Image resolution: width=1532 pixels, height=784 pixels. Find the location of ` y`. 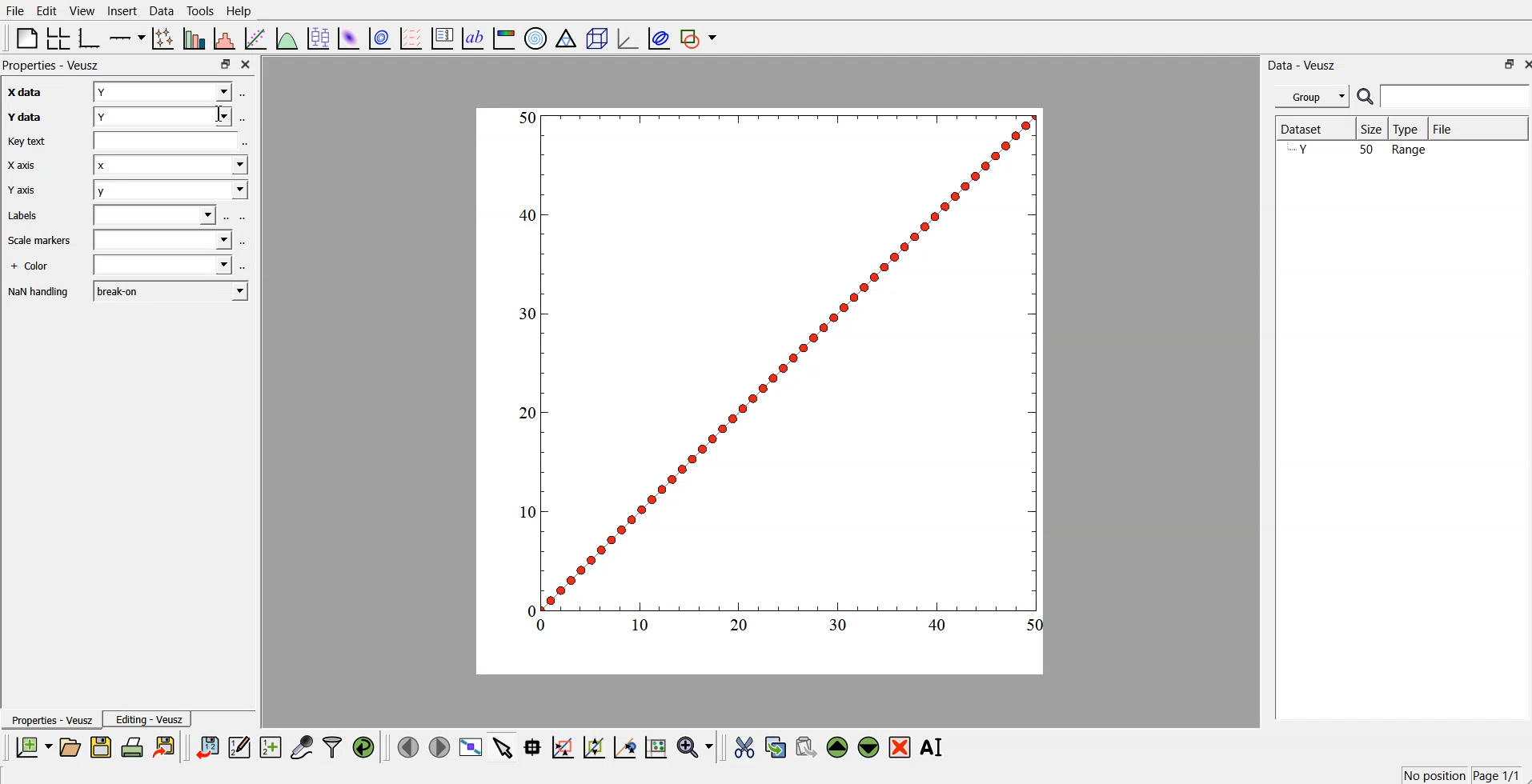

 y is located at coordinates (171, 192).